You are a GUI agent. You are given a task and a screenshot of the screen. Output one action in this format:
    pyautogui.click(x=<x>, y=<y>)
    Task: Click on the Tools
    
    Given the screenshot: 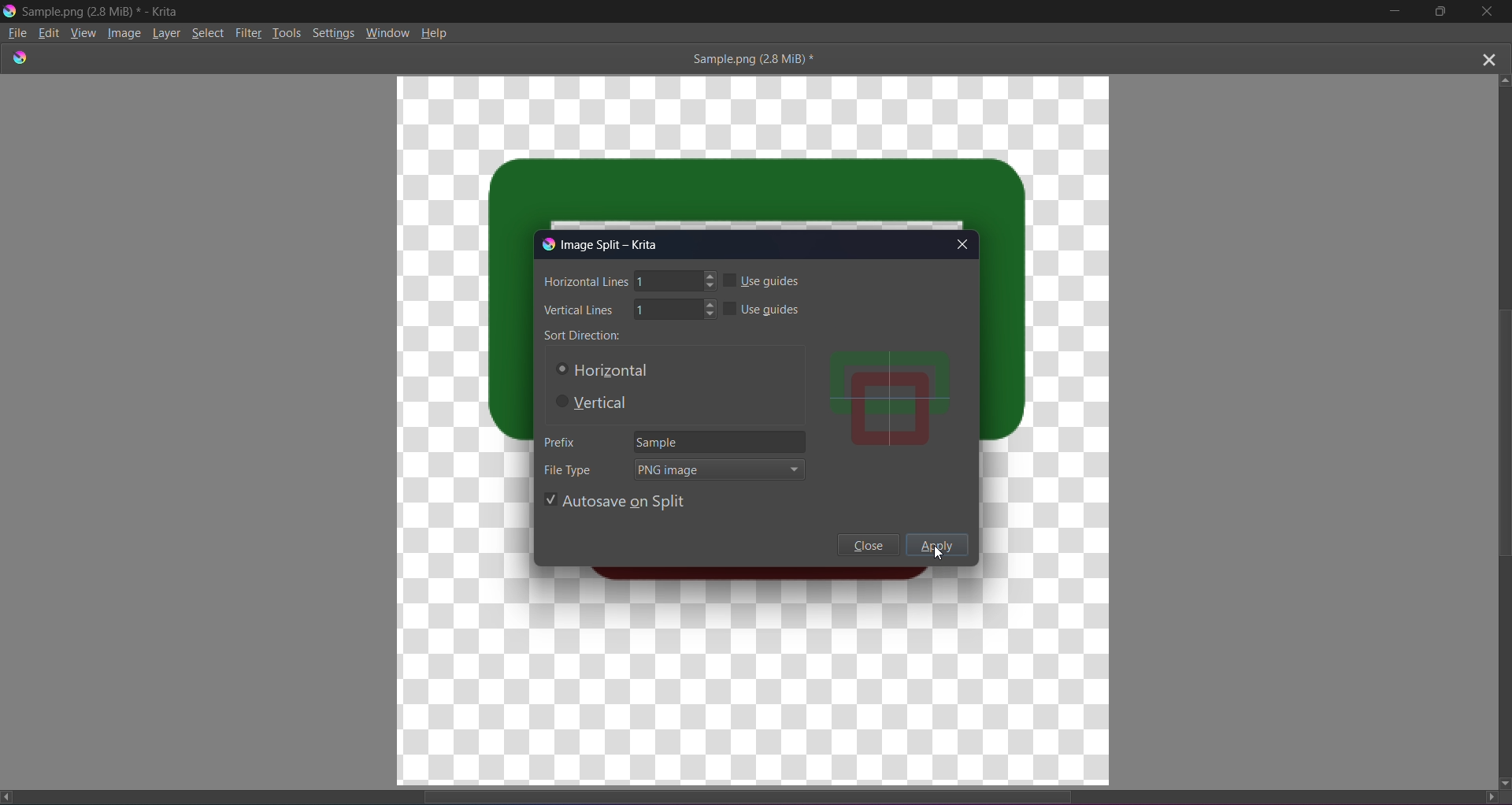 What is the action you would take?
    pyautogui.click(x=288, y=32)
    